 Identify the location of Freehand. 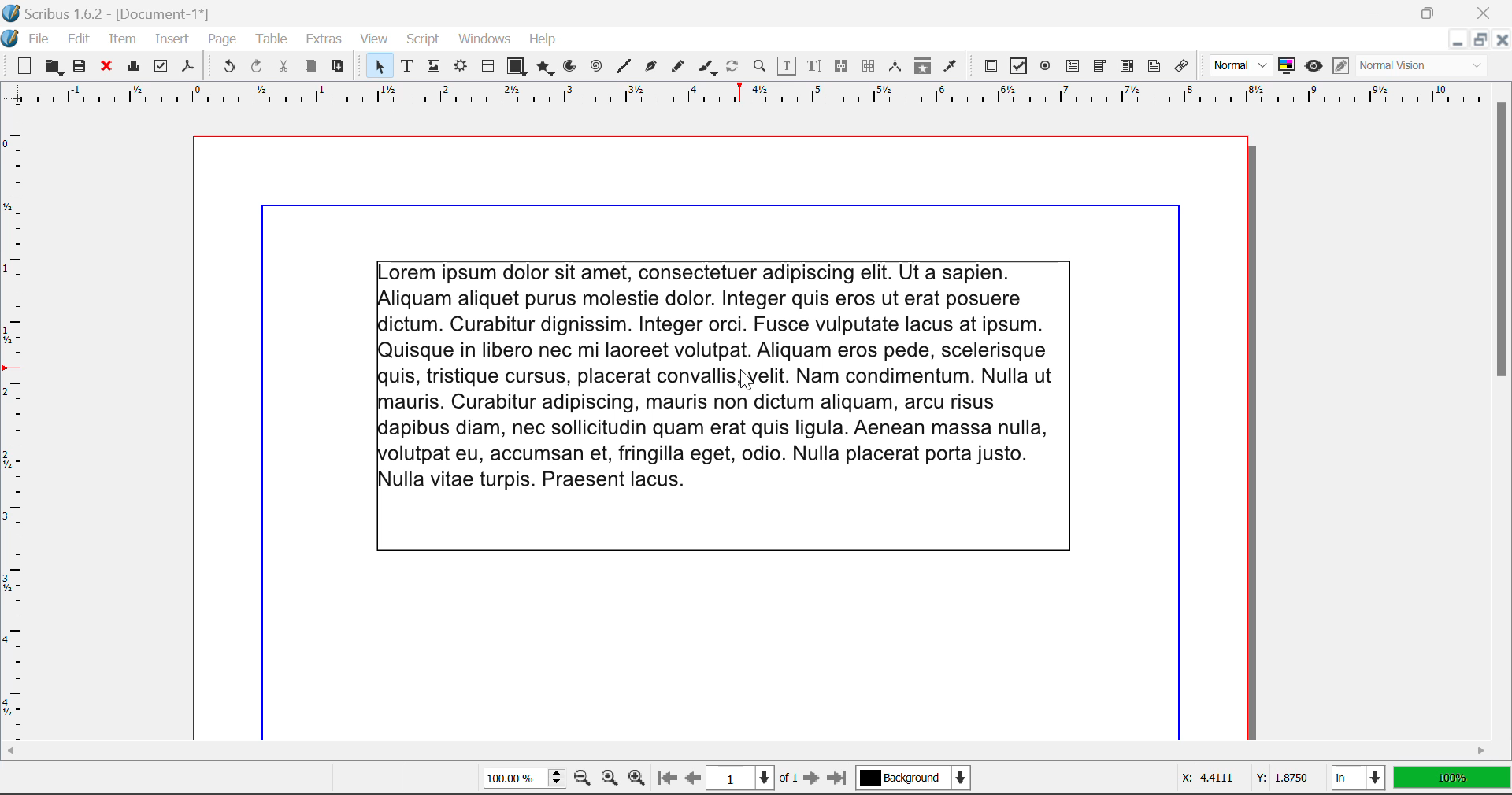
(679, 70).